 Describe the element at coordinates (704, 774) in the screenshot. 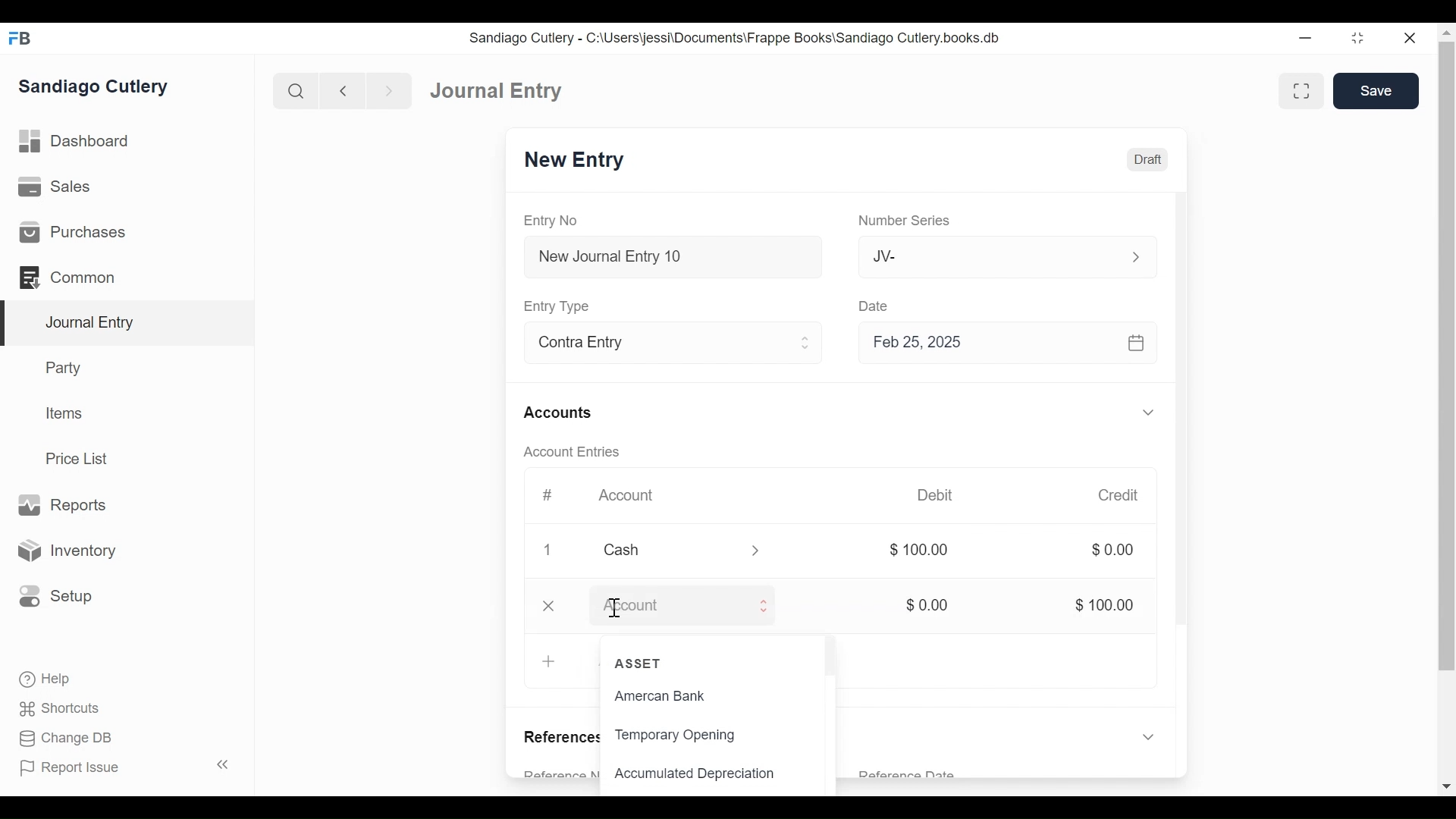

I see `Accumulated Depreciation` at that location.